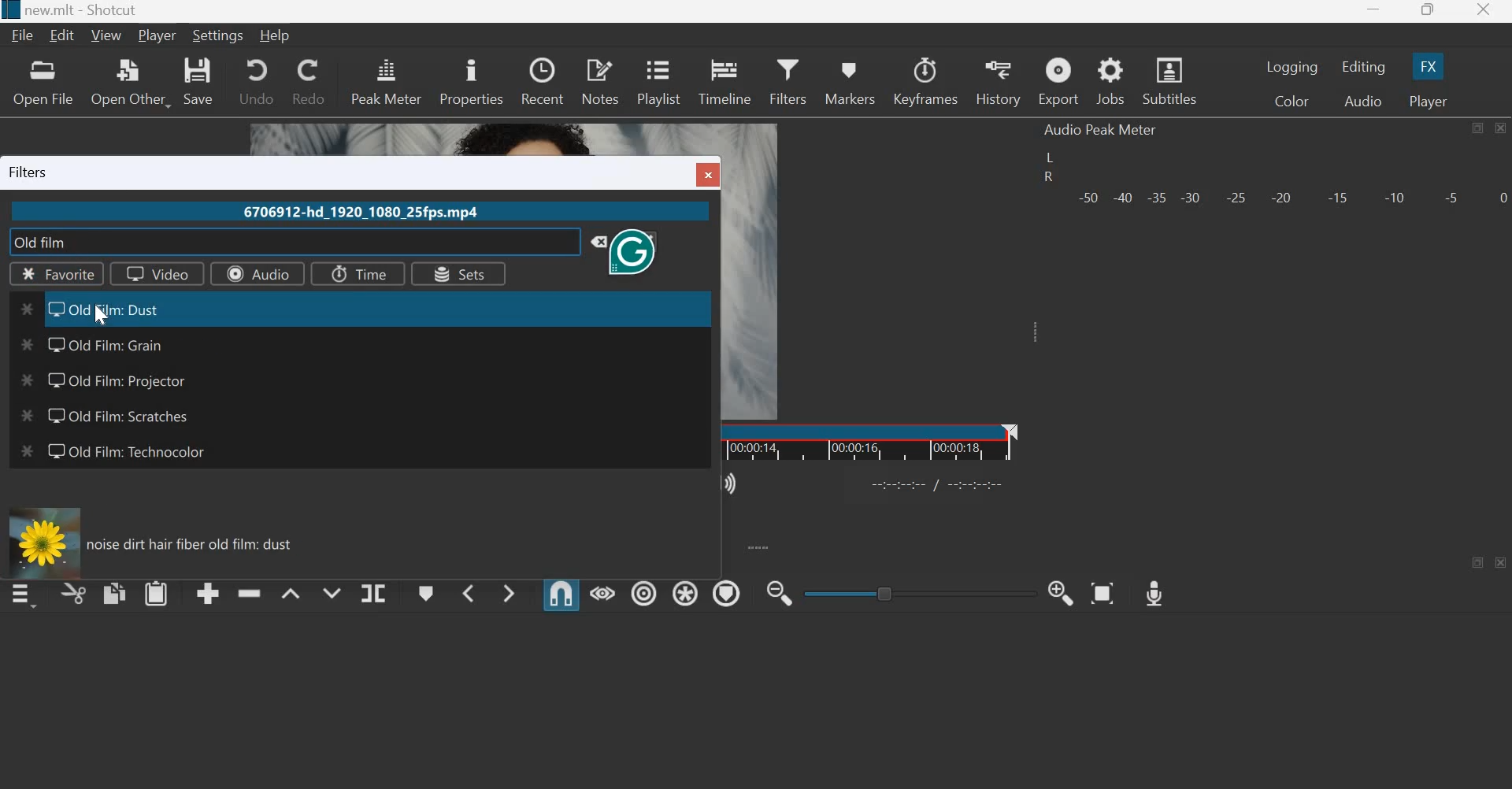 The height and width of the screenshot is (789, 1512). I want to click on expand, so click(758, 546).